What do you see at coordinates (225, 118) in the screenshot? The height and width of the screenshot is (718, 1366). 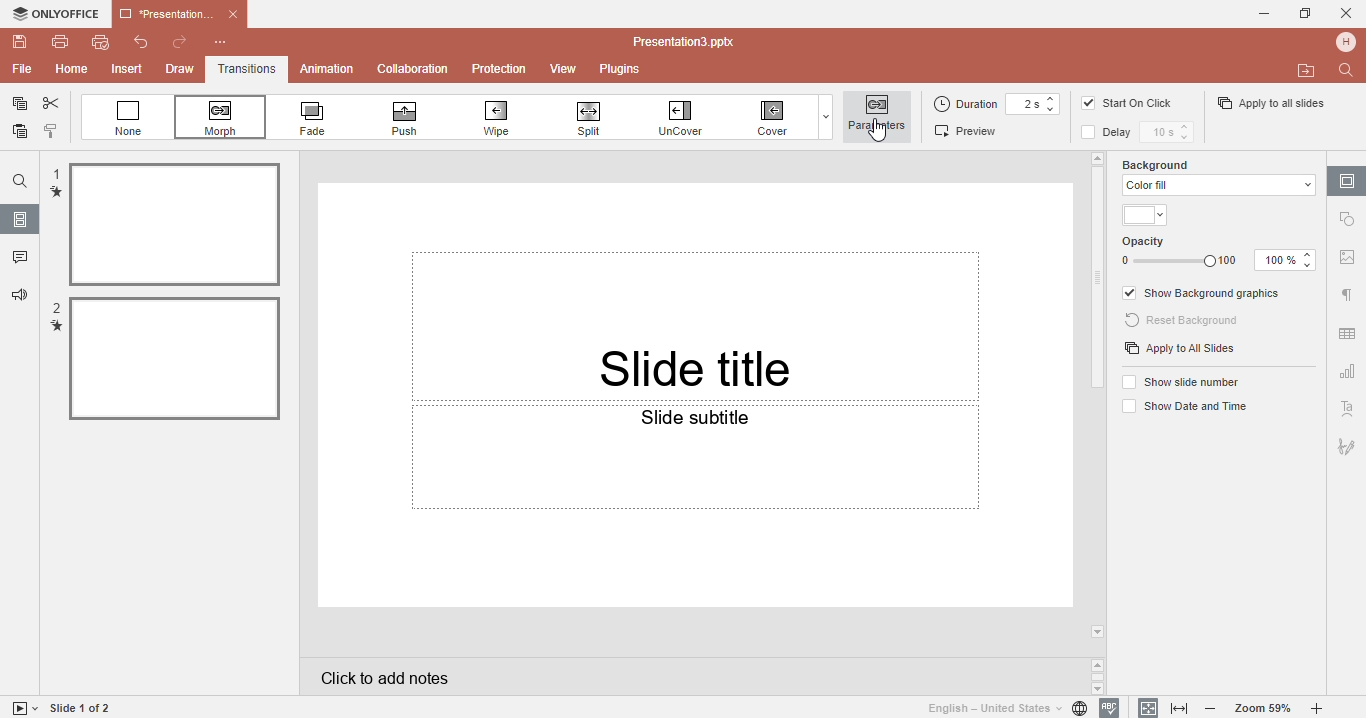 I see `Morph` at bounding box center [225, 118].